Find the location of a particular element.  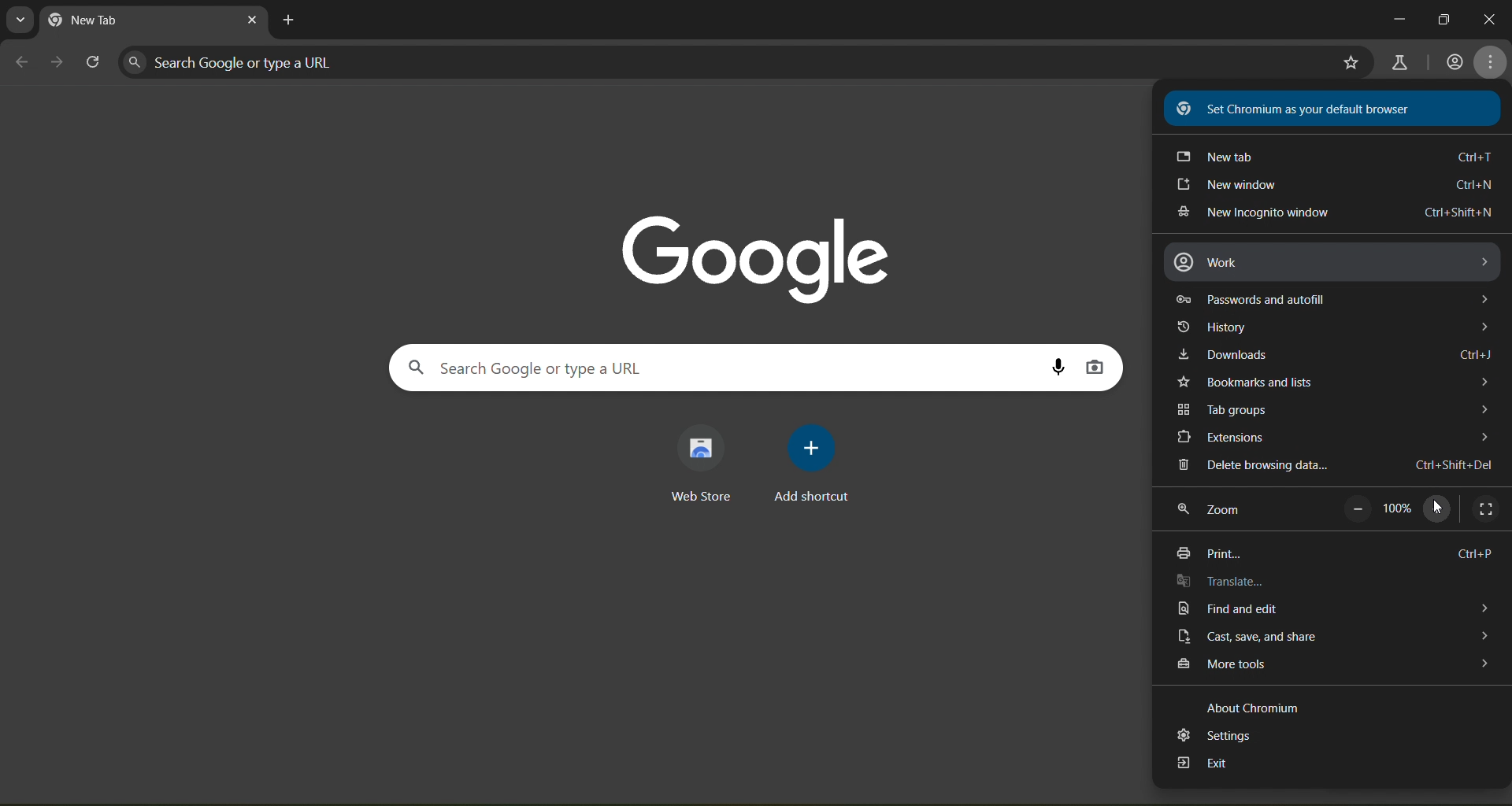

cast, save and share is located at coordinates (1333, 635).